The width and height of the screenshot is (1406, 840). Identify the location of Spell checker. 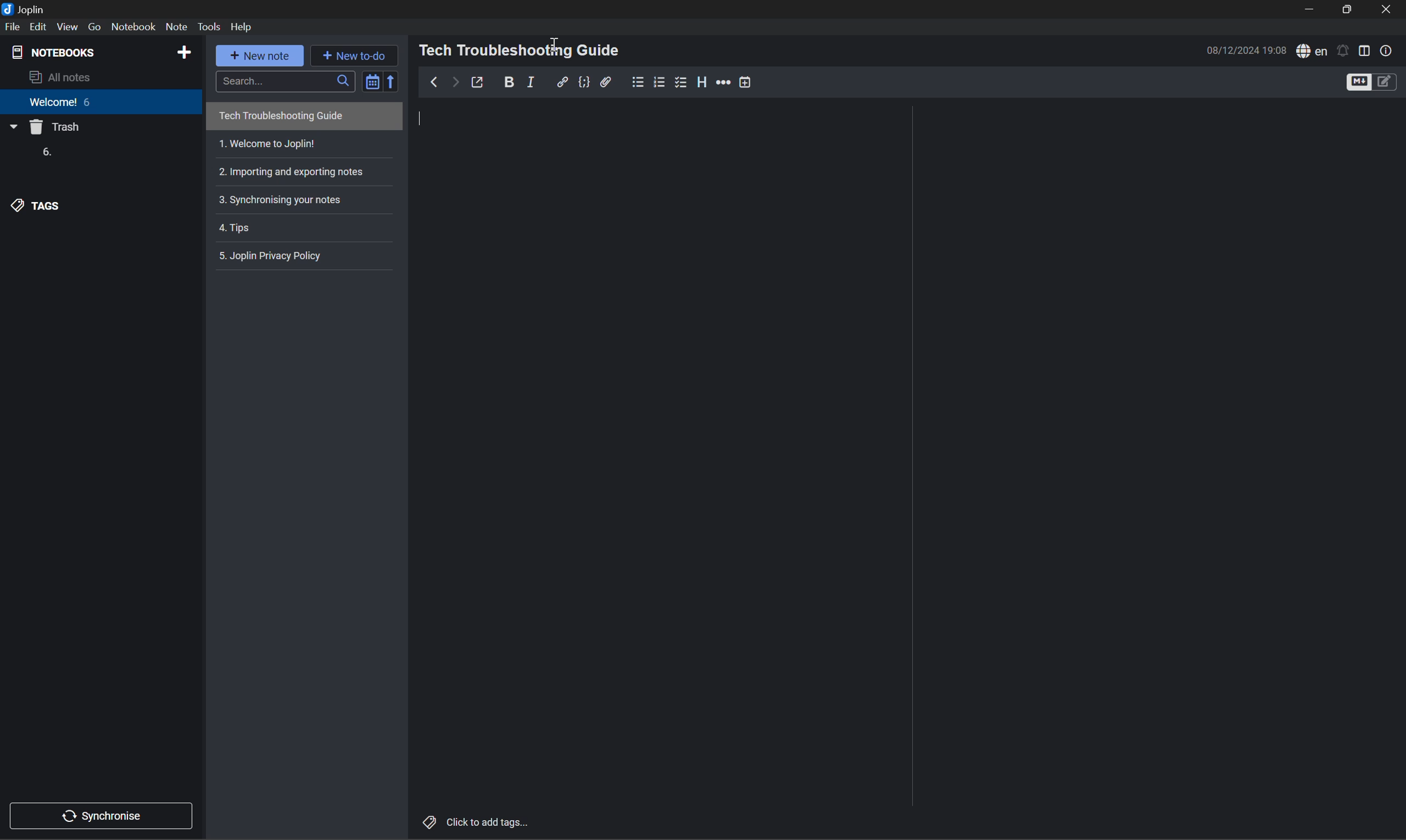
(1310, 51).